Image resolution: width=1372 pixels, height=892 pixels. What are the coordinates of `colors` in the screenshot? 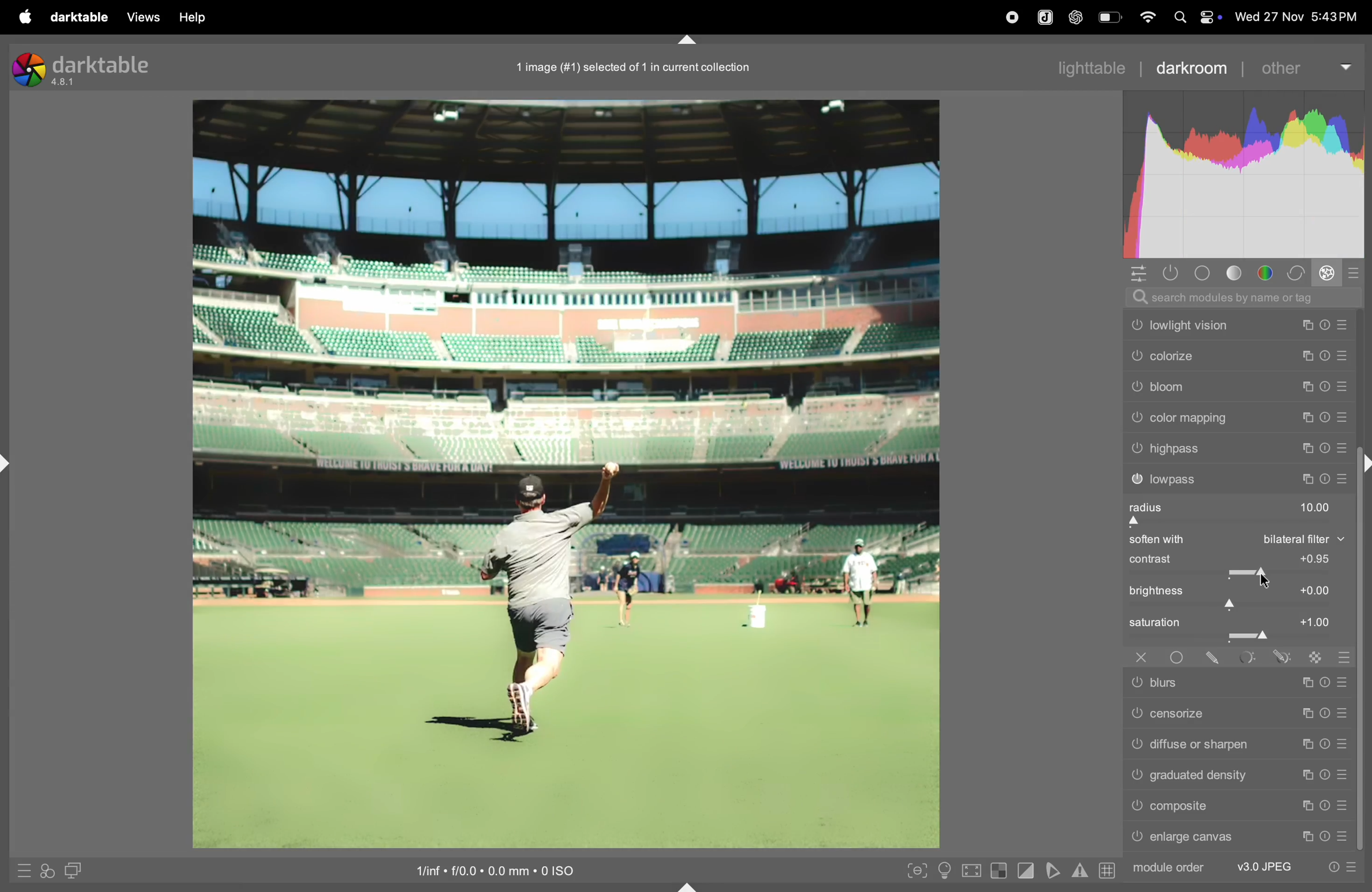 It's located at (1267, 273).